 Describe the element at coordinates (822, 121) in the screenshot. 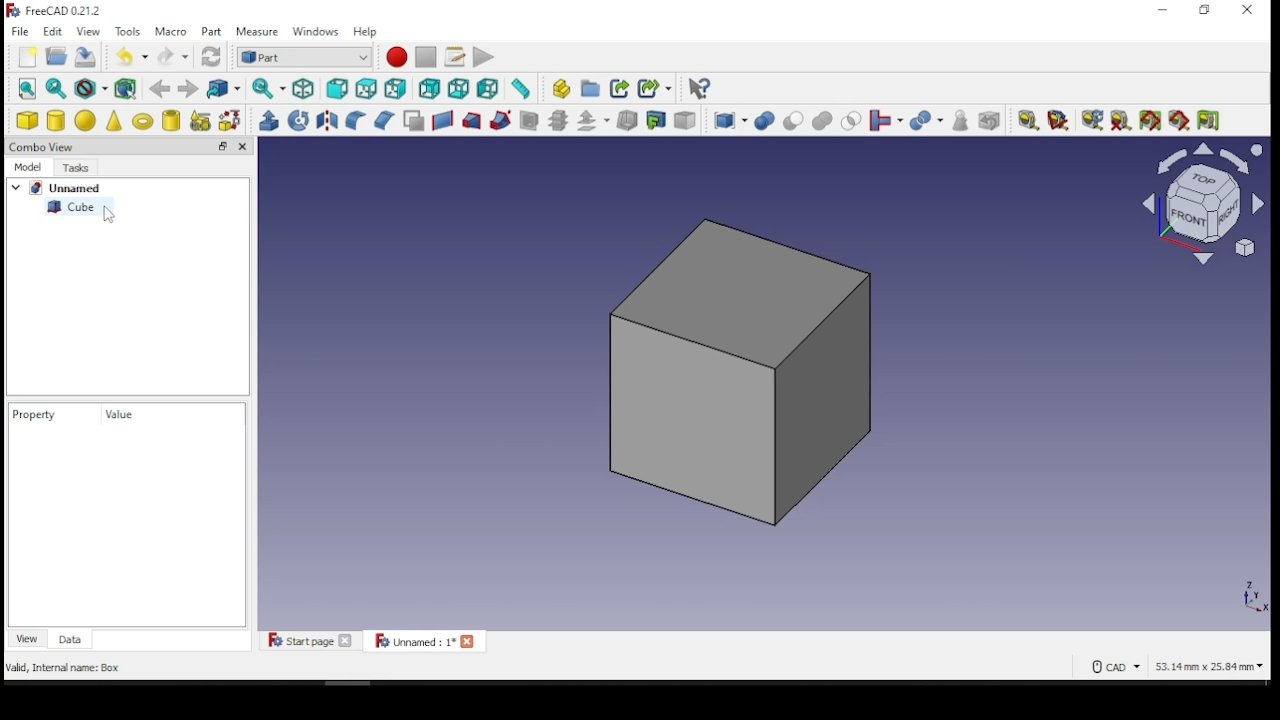

I see `union` at that location.